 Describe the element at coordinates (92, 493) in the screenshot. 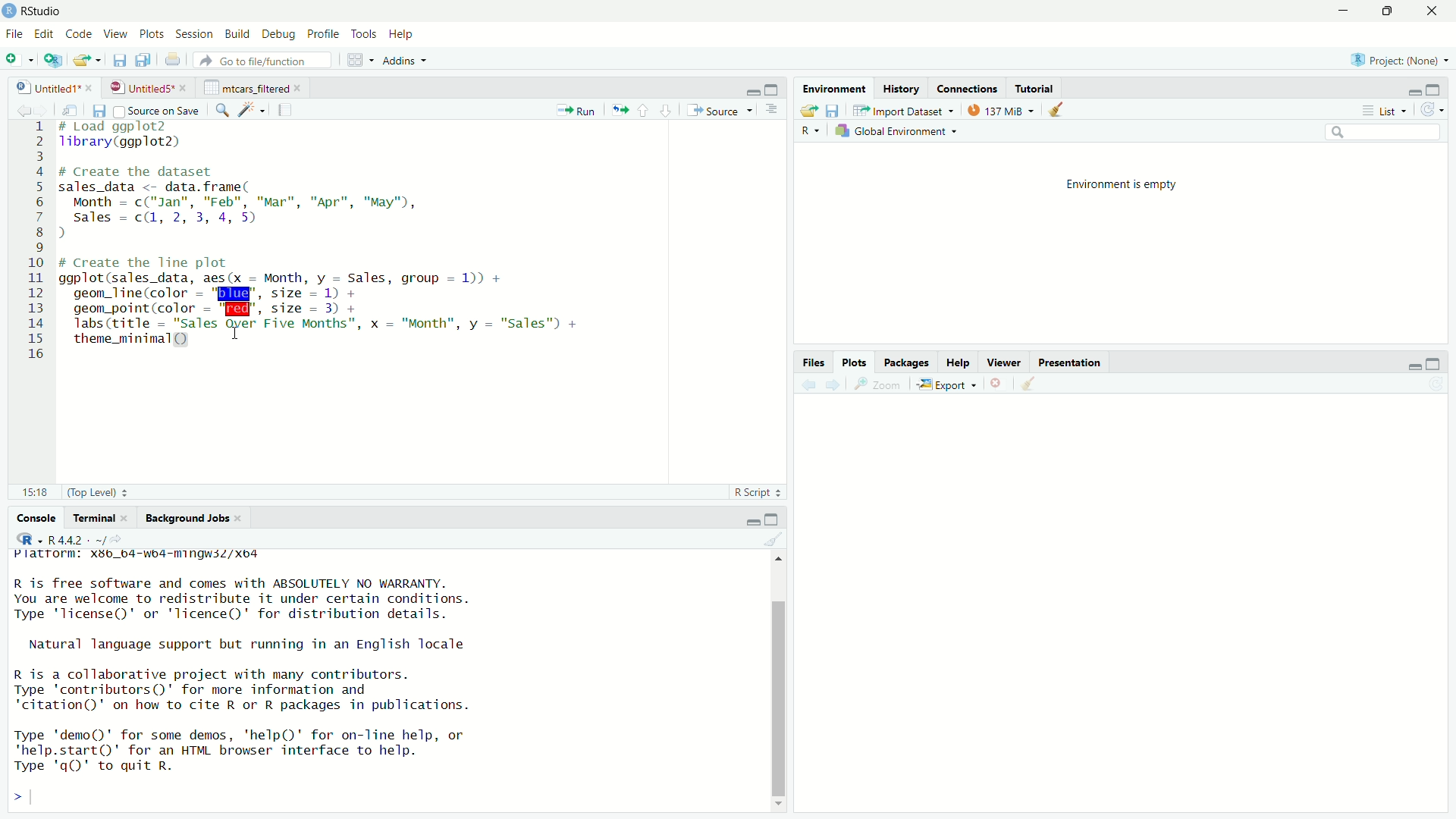

I see `(top leave)` at that location.